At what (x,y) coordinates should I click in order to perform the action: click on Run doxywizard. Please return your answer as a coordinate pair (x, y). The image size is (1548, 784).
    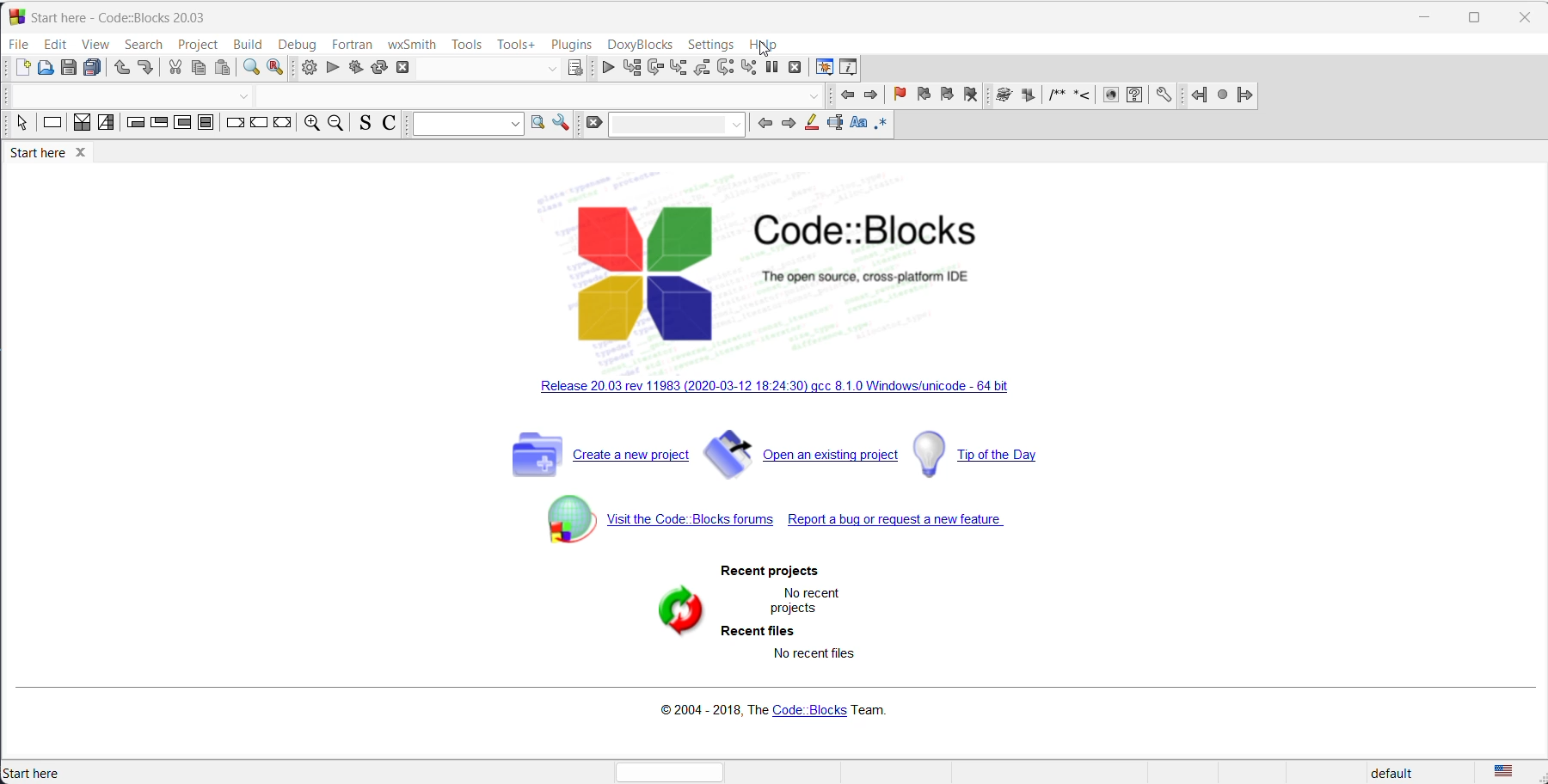
    Looking at the image, I should click on (1003, 97).